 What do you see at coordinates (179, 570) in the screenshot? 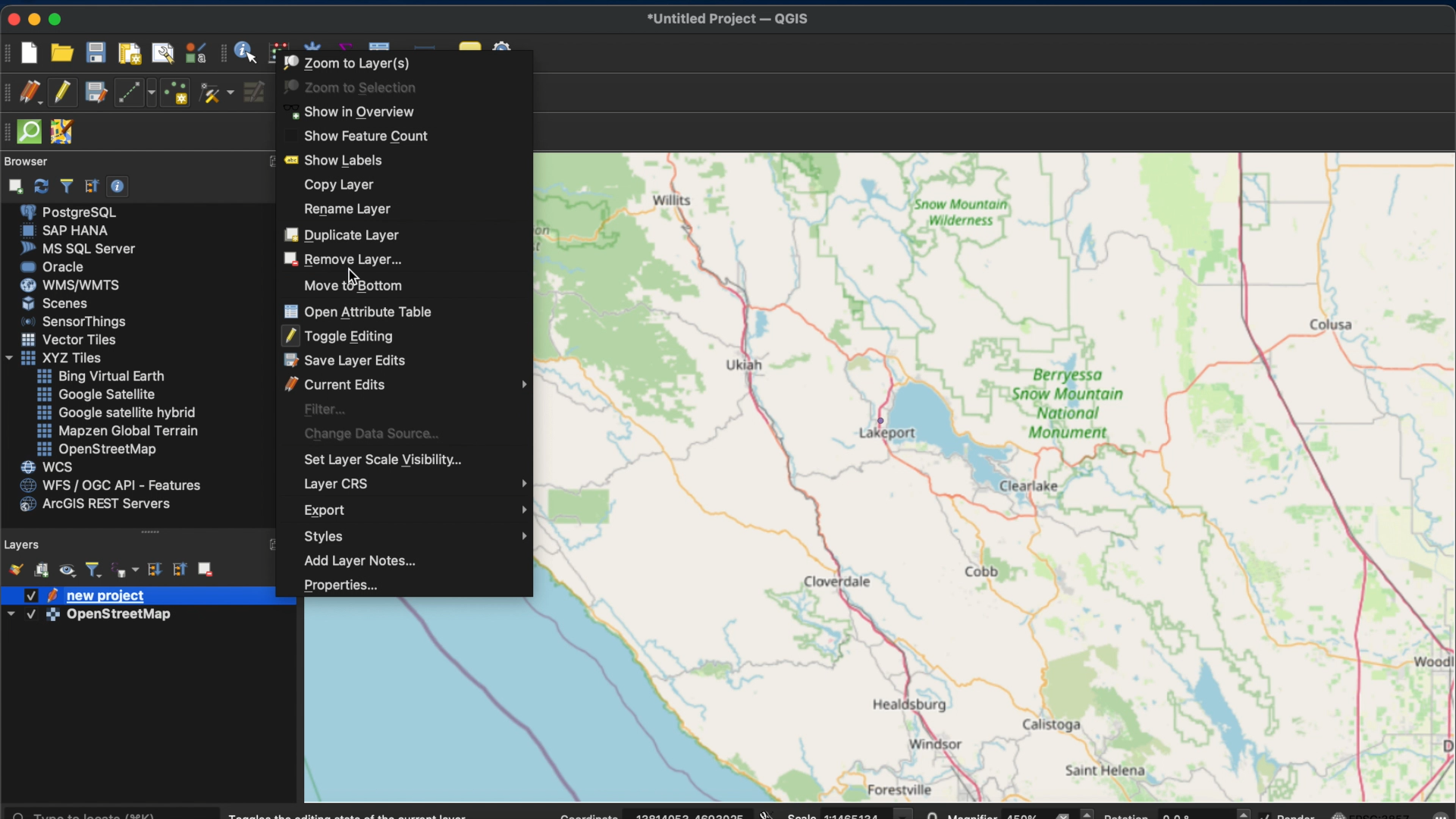
I see `collapse all` at bounding box center [179, 570].